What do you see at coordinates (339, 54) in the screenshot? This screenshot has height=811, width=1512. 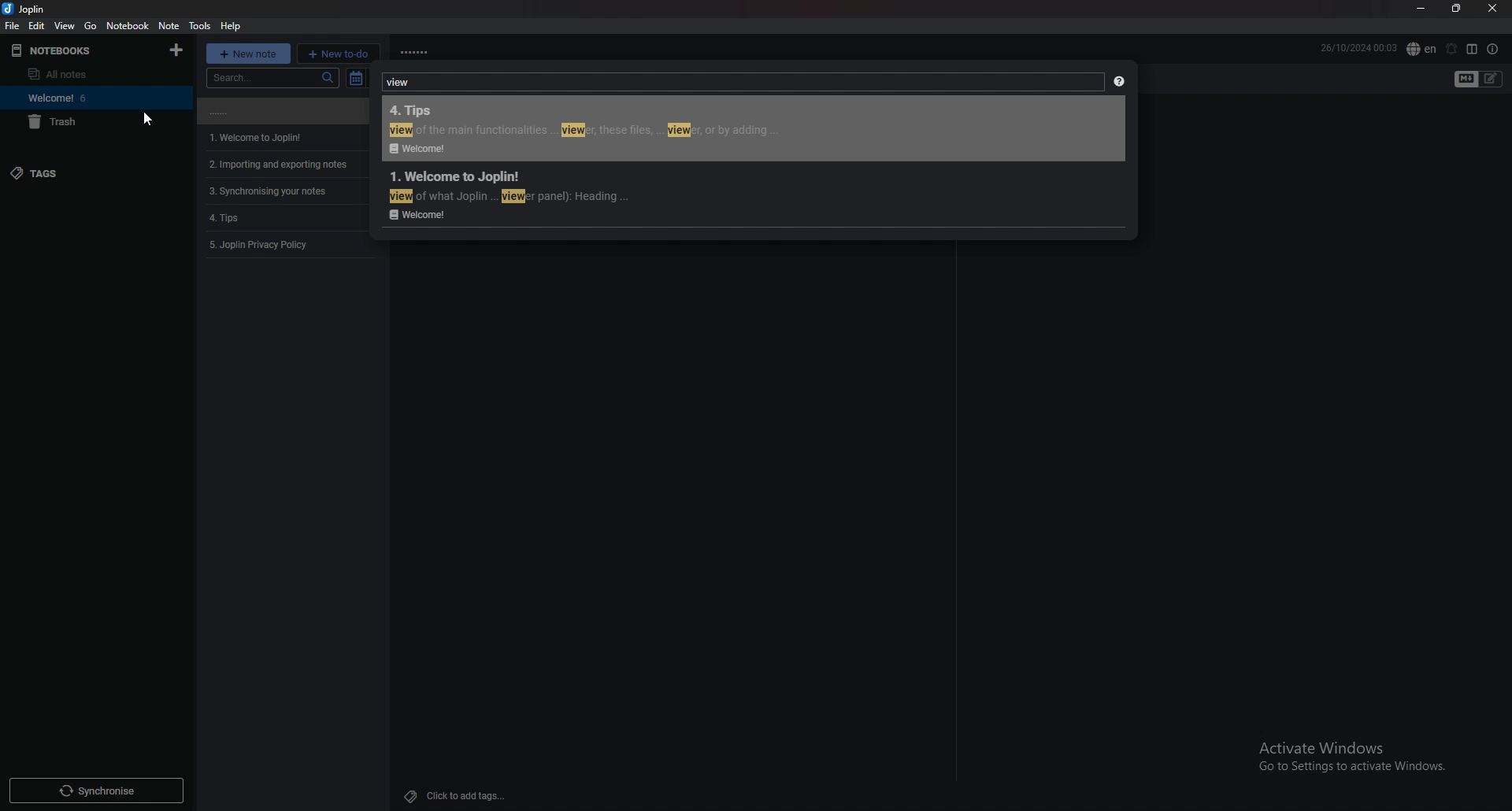 I see `new todo` at bounding box center [339, 54].